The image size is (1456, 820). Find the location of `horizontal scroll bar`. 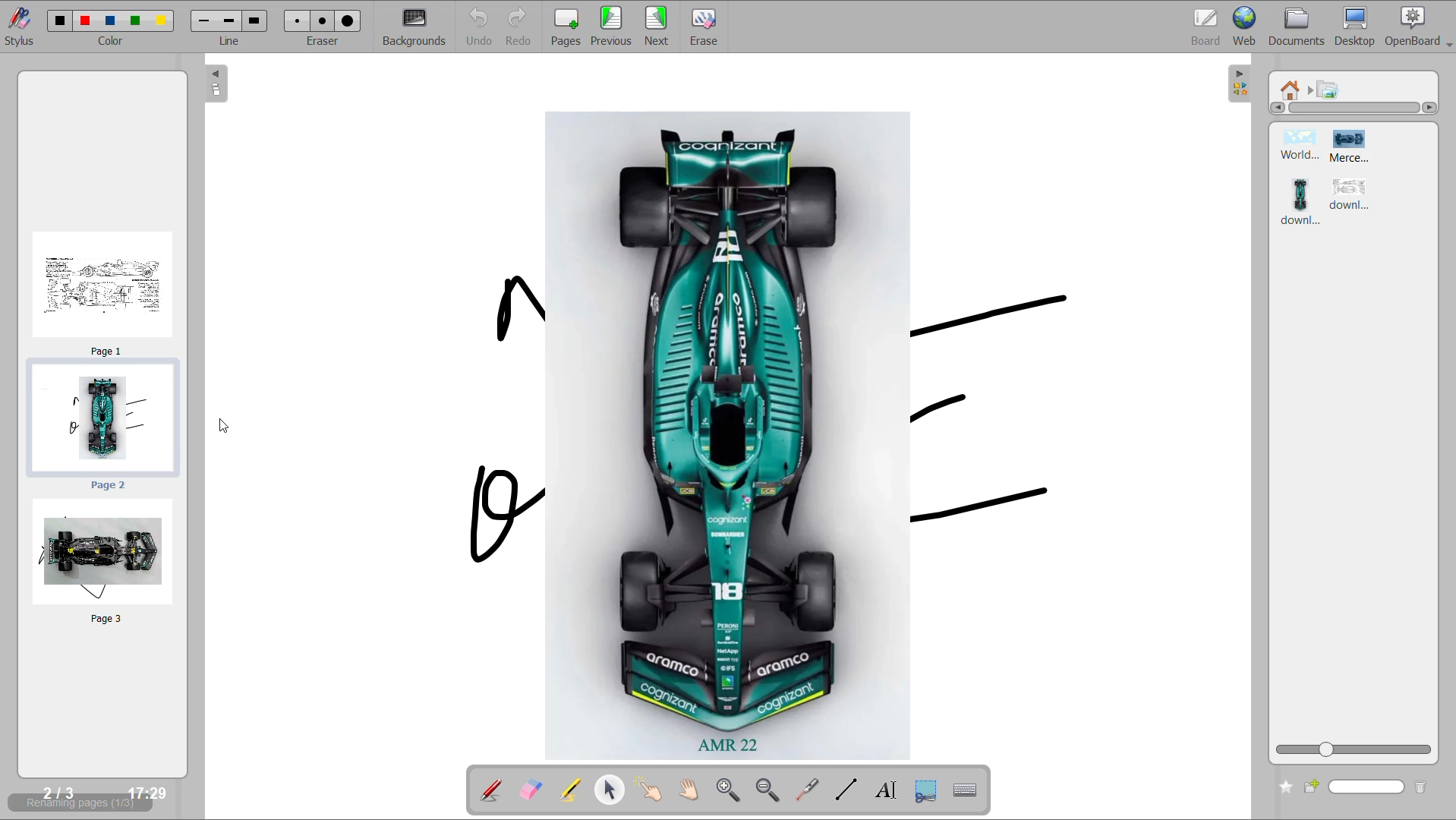

horizontal scroll bar is located at coordinates (1354, 109).